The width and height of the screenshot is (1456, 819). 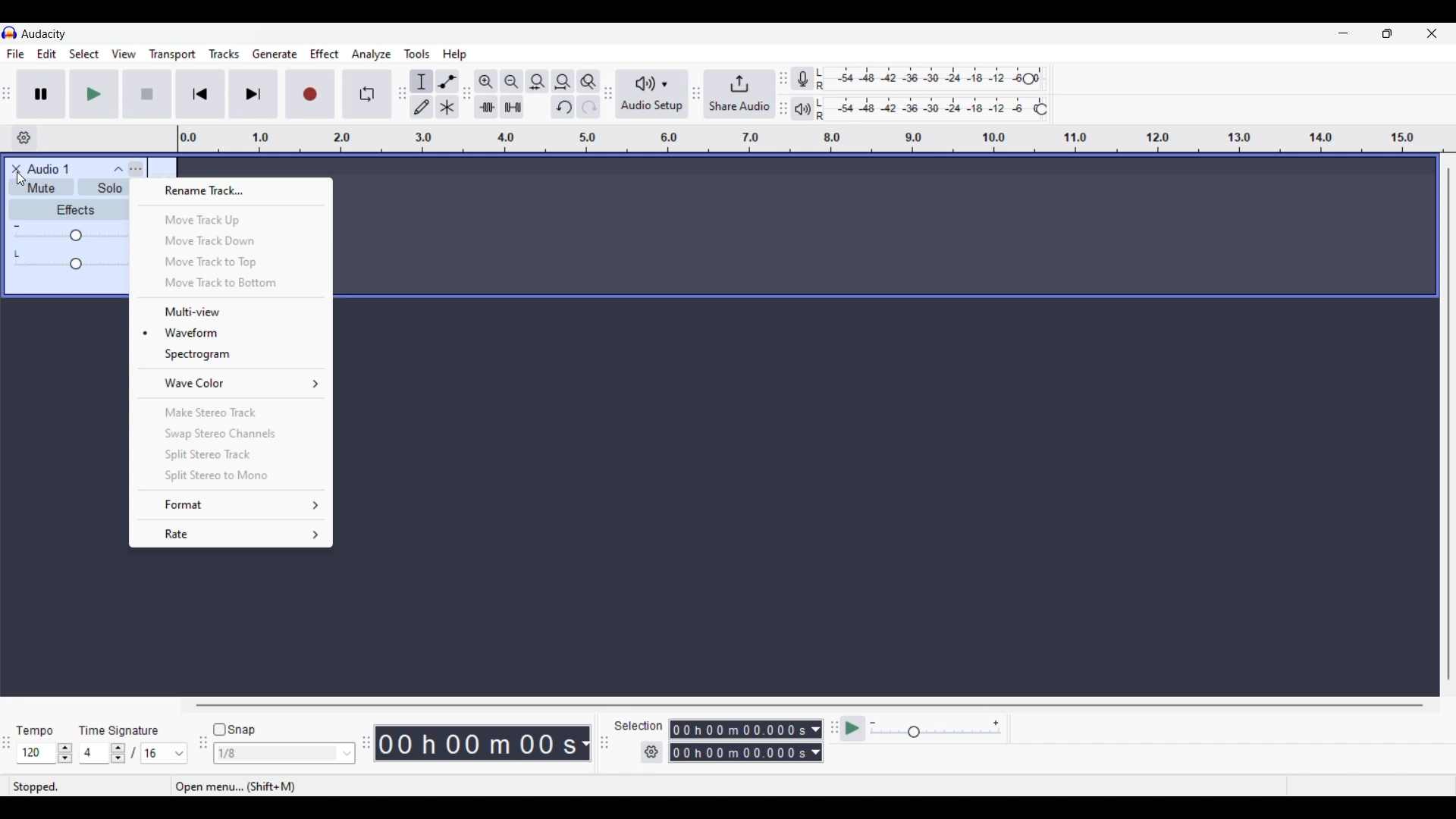 I want to click on Effects, so click(x=75, y=209).